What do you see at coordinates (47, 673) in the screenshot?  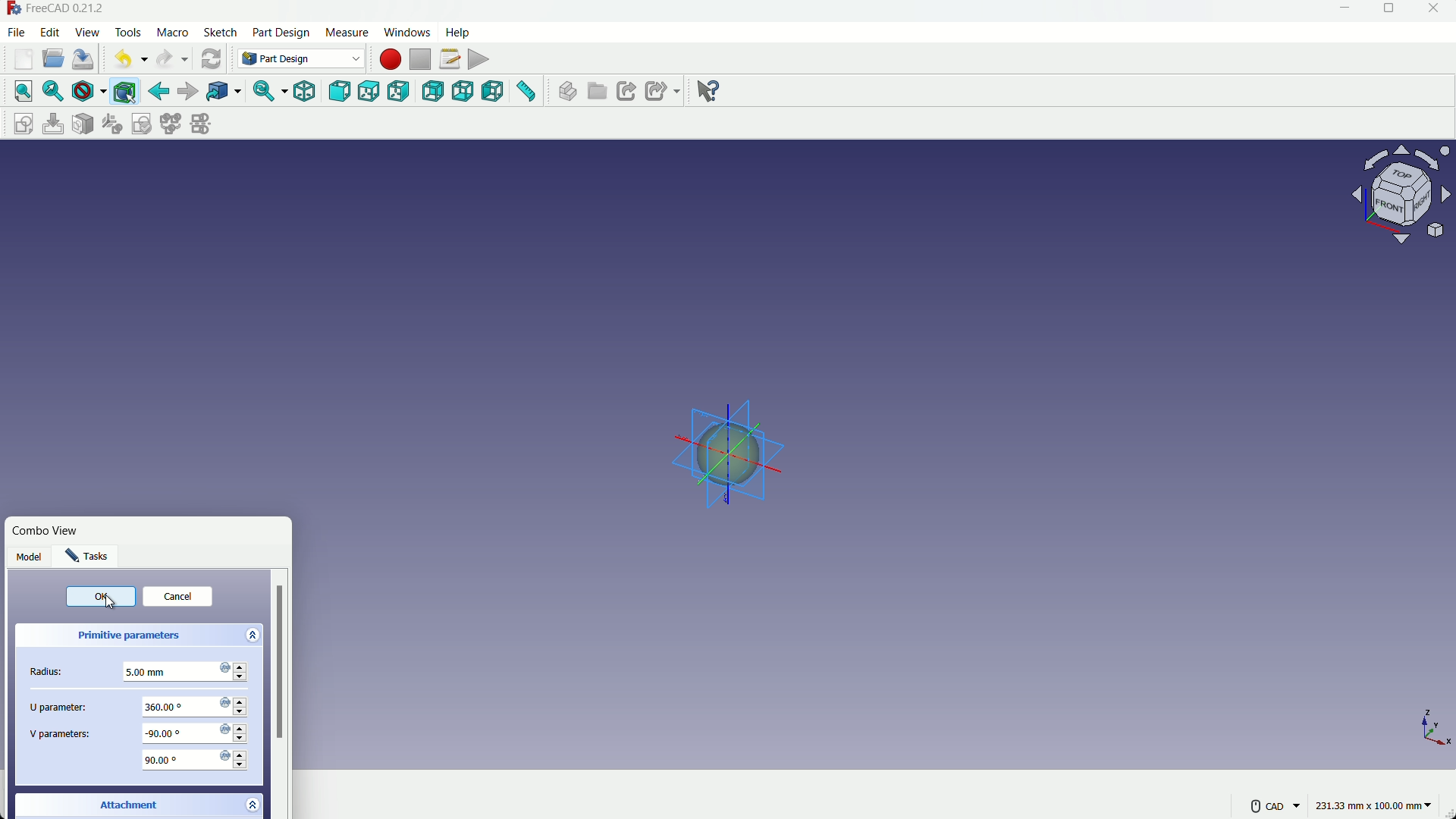 I see `Radius` at bounding box center [47, 673].